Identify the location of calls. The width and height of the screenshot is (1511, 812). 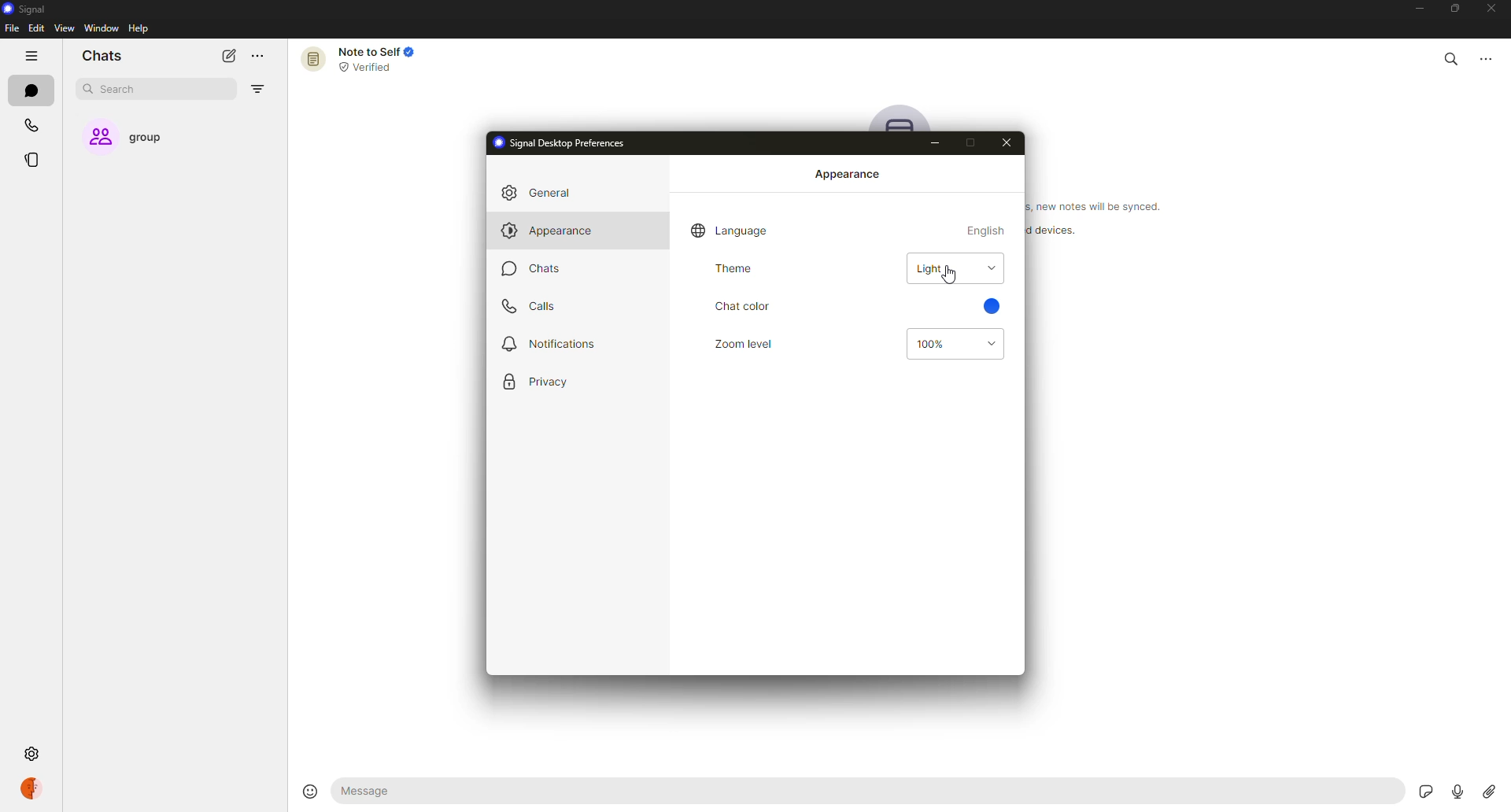
(531, 305).